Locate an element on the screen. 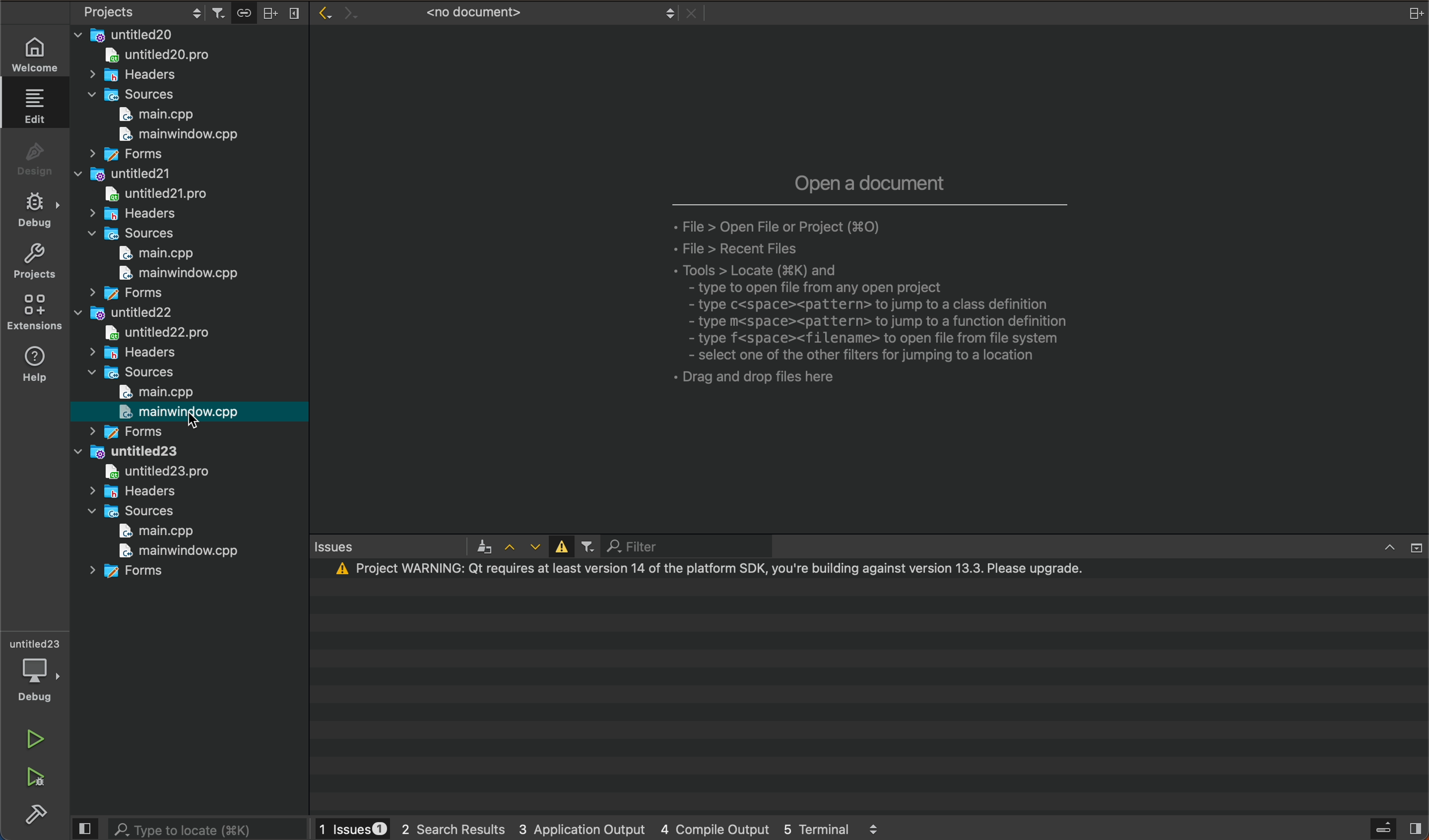 Image resolution: width=1429 pixels, height=840 pixels. previous is located at coordinates (322, 12).